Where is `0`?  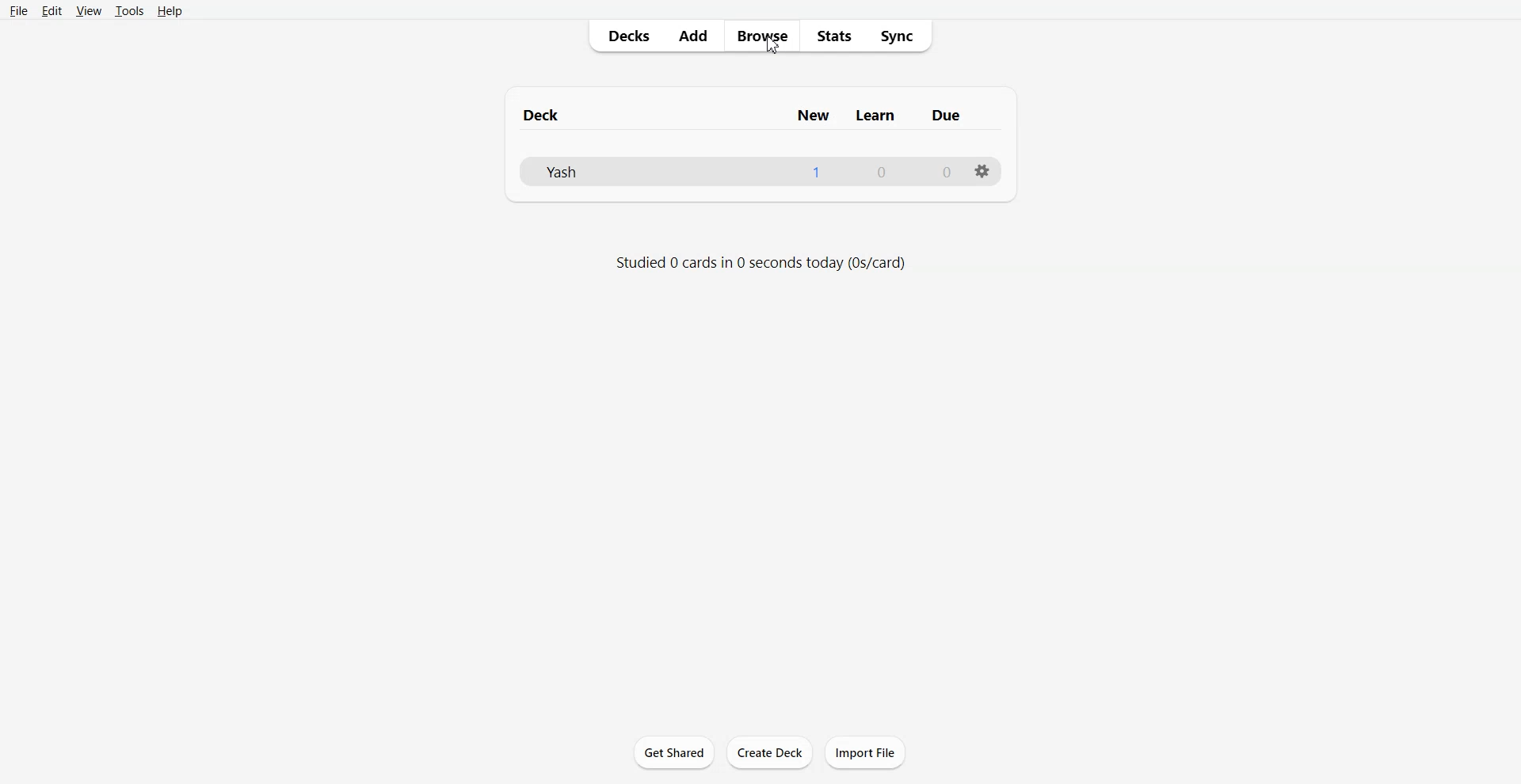
0 is located at coordinates (944, 171).